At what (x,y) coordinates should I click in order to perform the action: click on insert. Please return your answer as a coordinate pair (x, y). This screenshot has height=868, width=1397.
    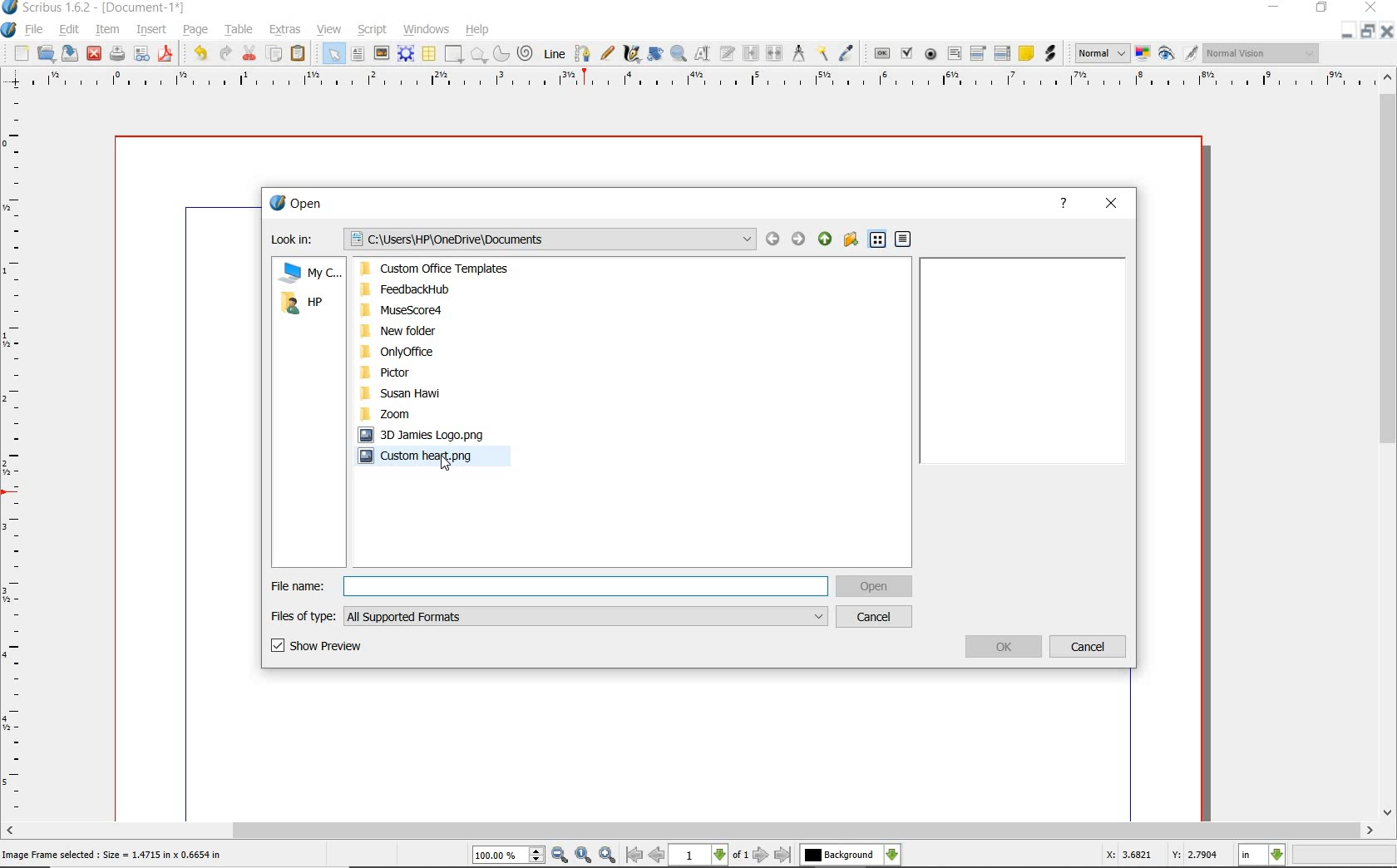
    Looking at the image, I should click on (150, 31).